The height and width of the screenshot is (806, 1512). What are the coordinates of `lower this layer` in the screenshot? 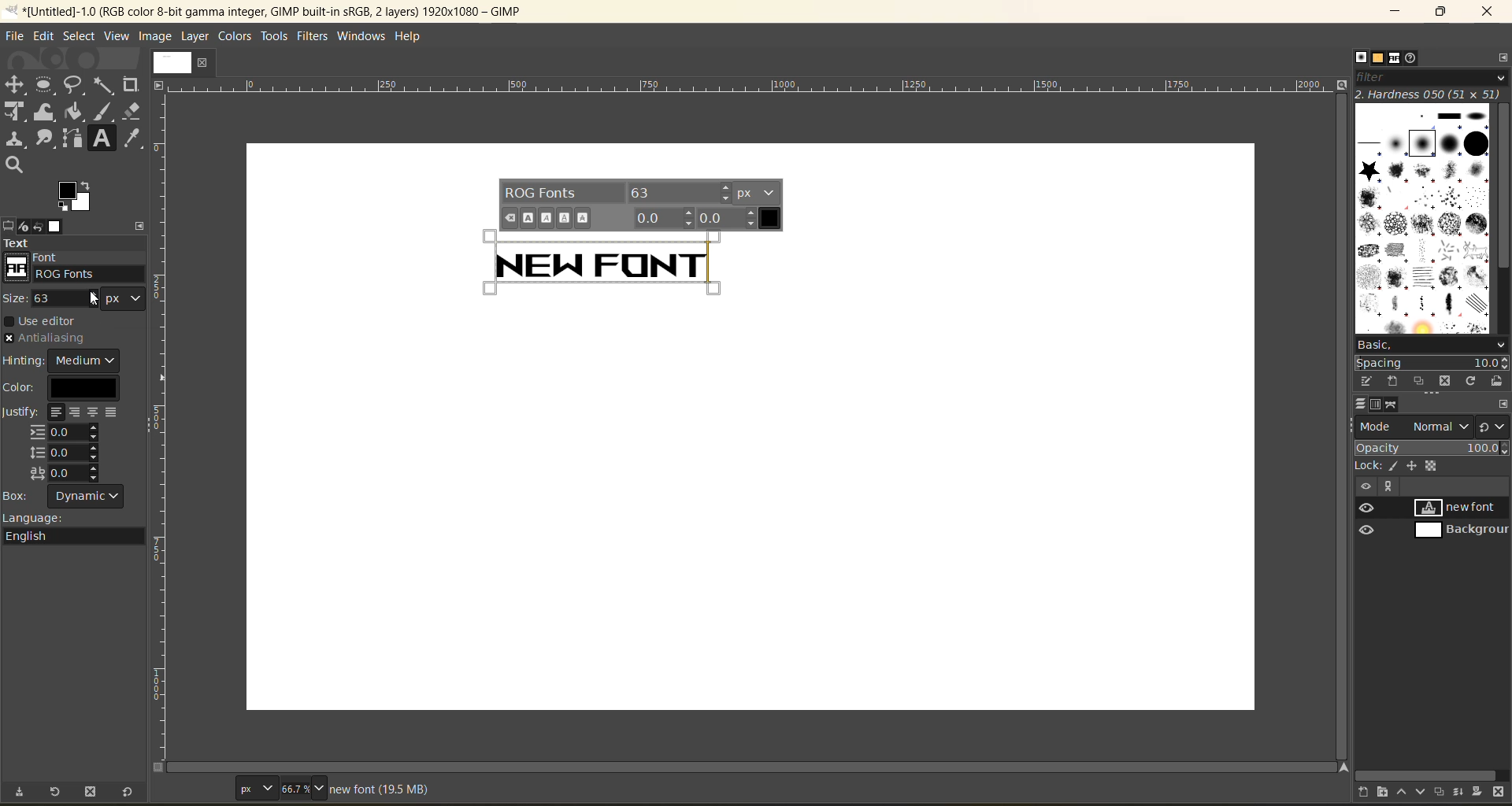 It's located at (1425, 789).